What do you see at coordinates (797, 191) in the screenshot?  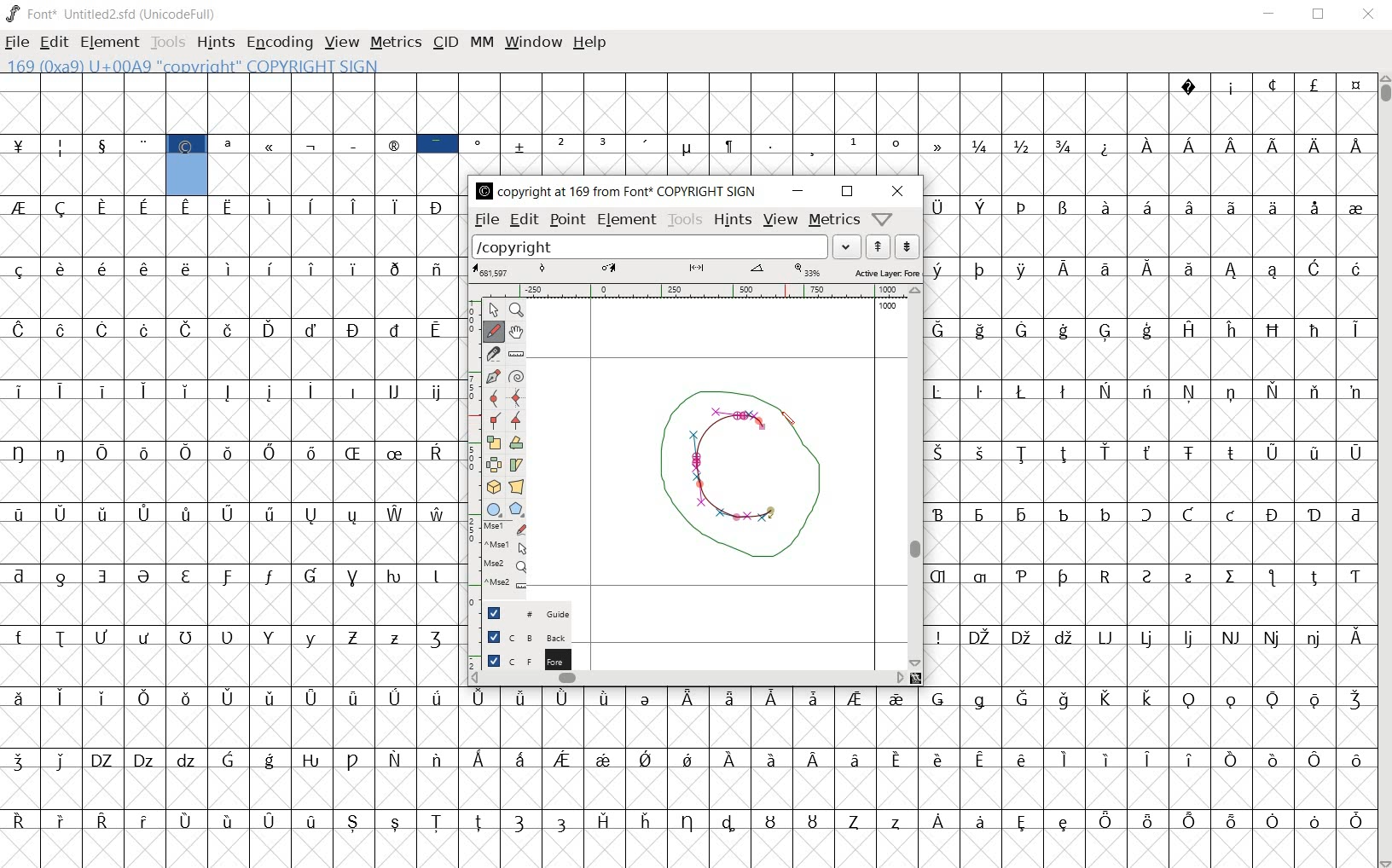 I see `minimize` at bounding box center [797, 191].